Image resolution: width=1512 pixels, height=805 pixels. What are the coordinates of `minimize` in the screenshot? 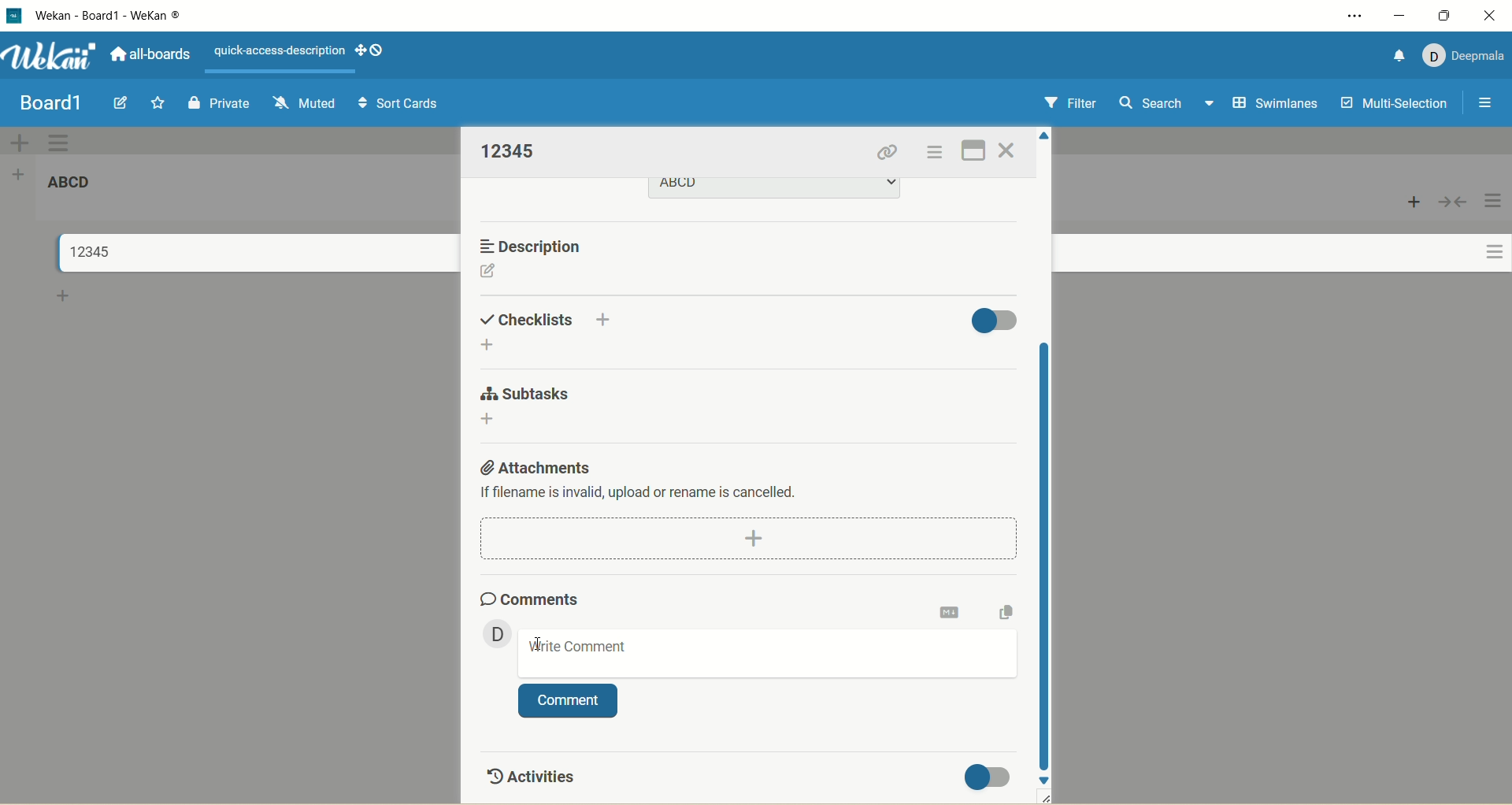 It's located at (1398, 16).